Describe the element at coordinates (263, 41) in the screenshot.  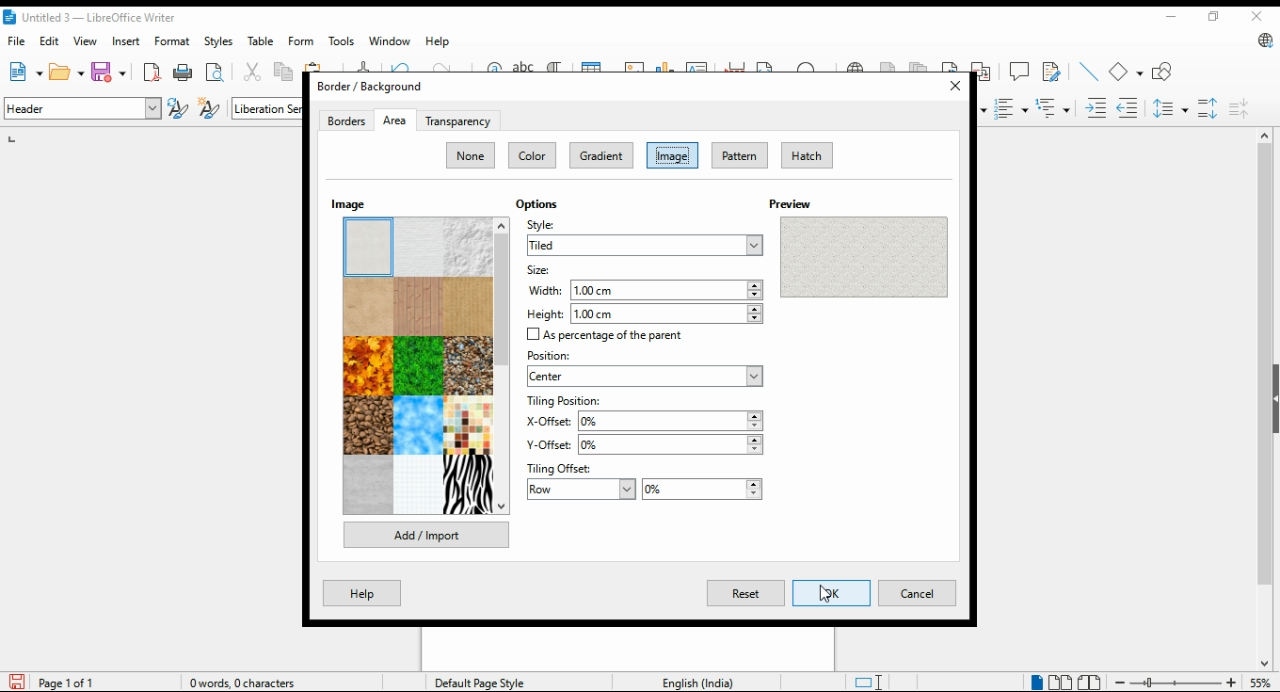
I see `table` at that location.